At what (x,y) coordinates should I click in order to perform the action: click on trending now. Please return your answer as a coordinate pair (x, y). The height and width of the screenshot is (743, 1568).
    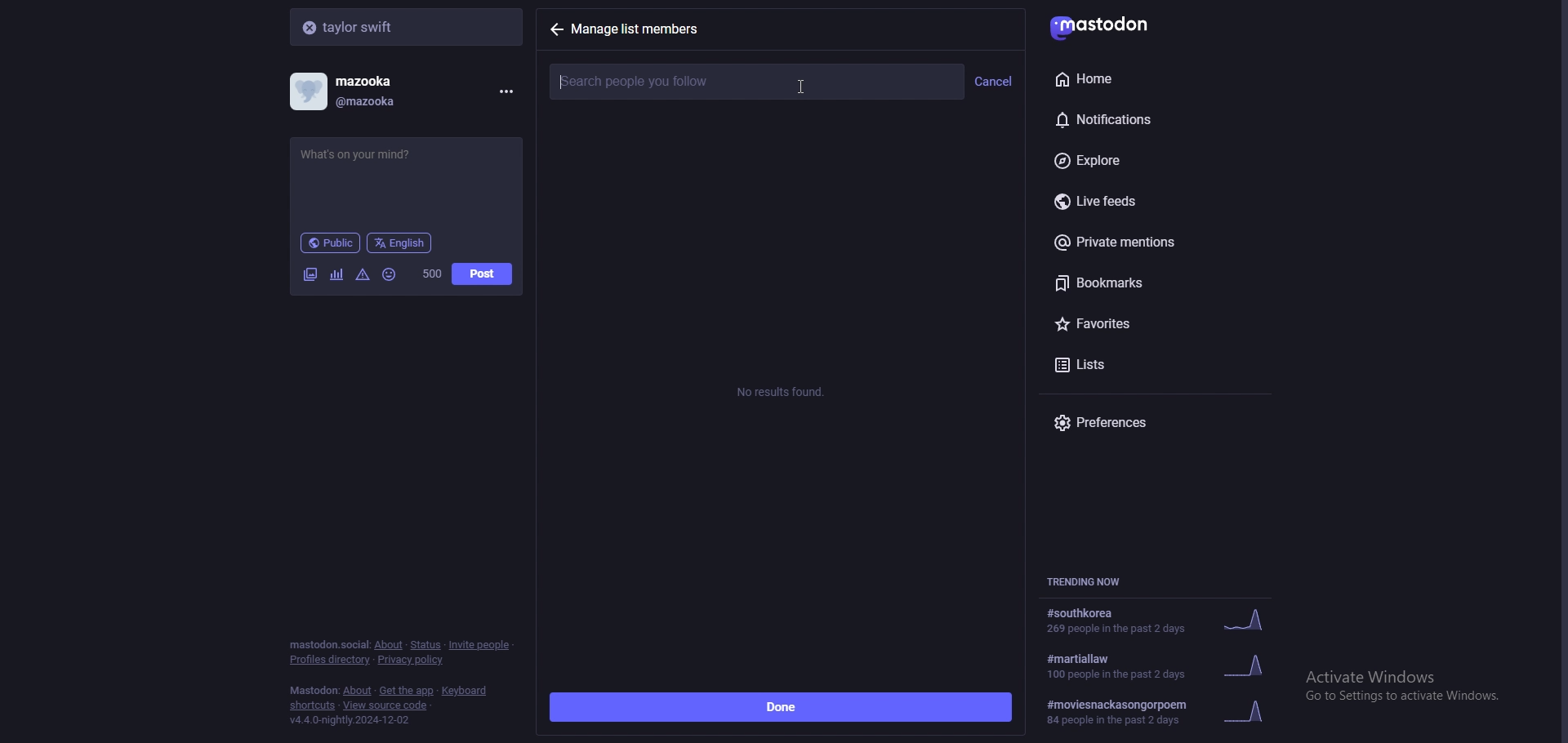
    Looking at the image, I should click on (1093, 581).